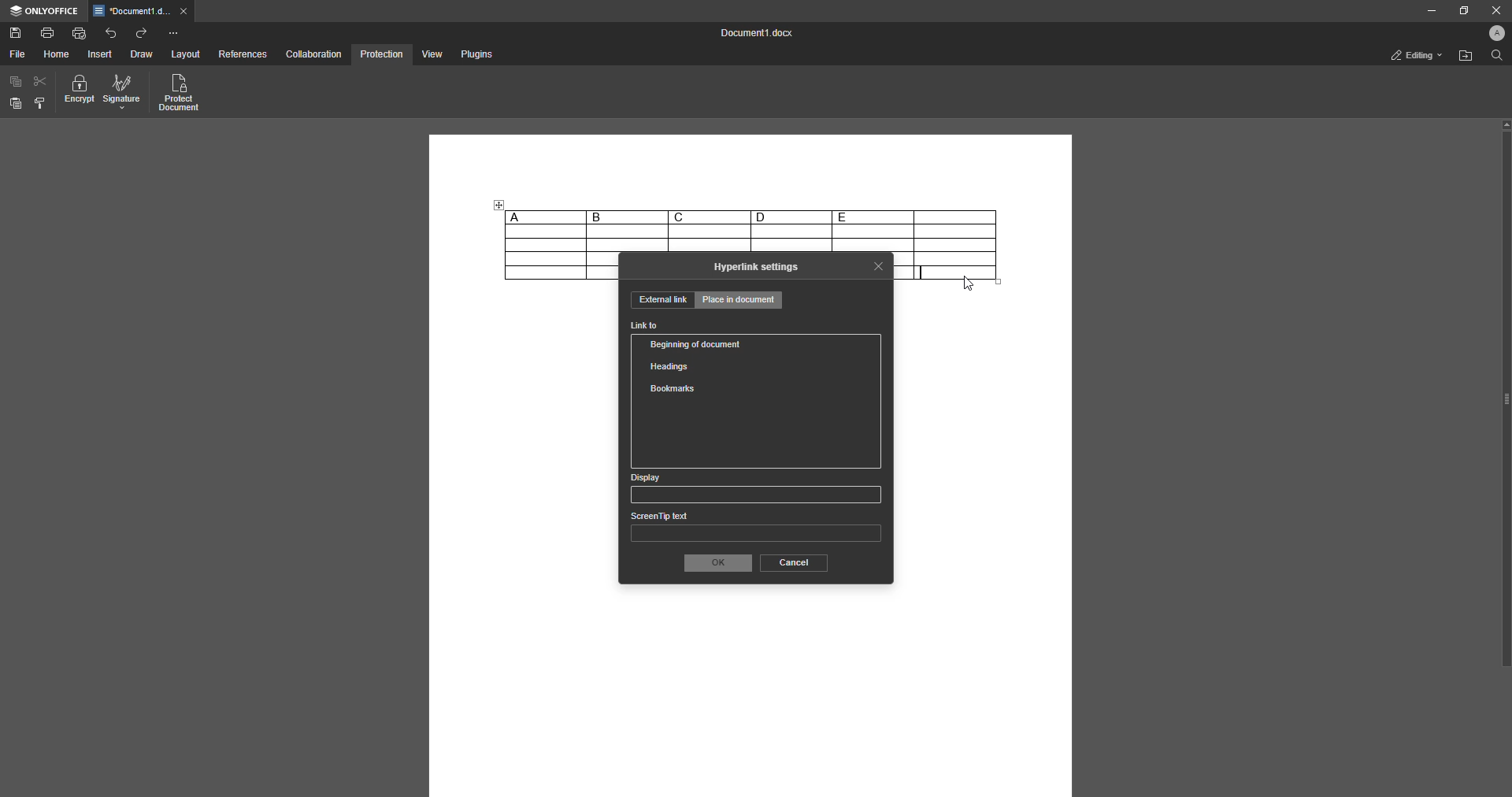 Image resolution: width=1512 pixels, height=797 pixels. Describe the element at coordinates (740, 302) in the screenshot. I see `Place in document` at that location.